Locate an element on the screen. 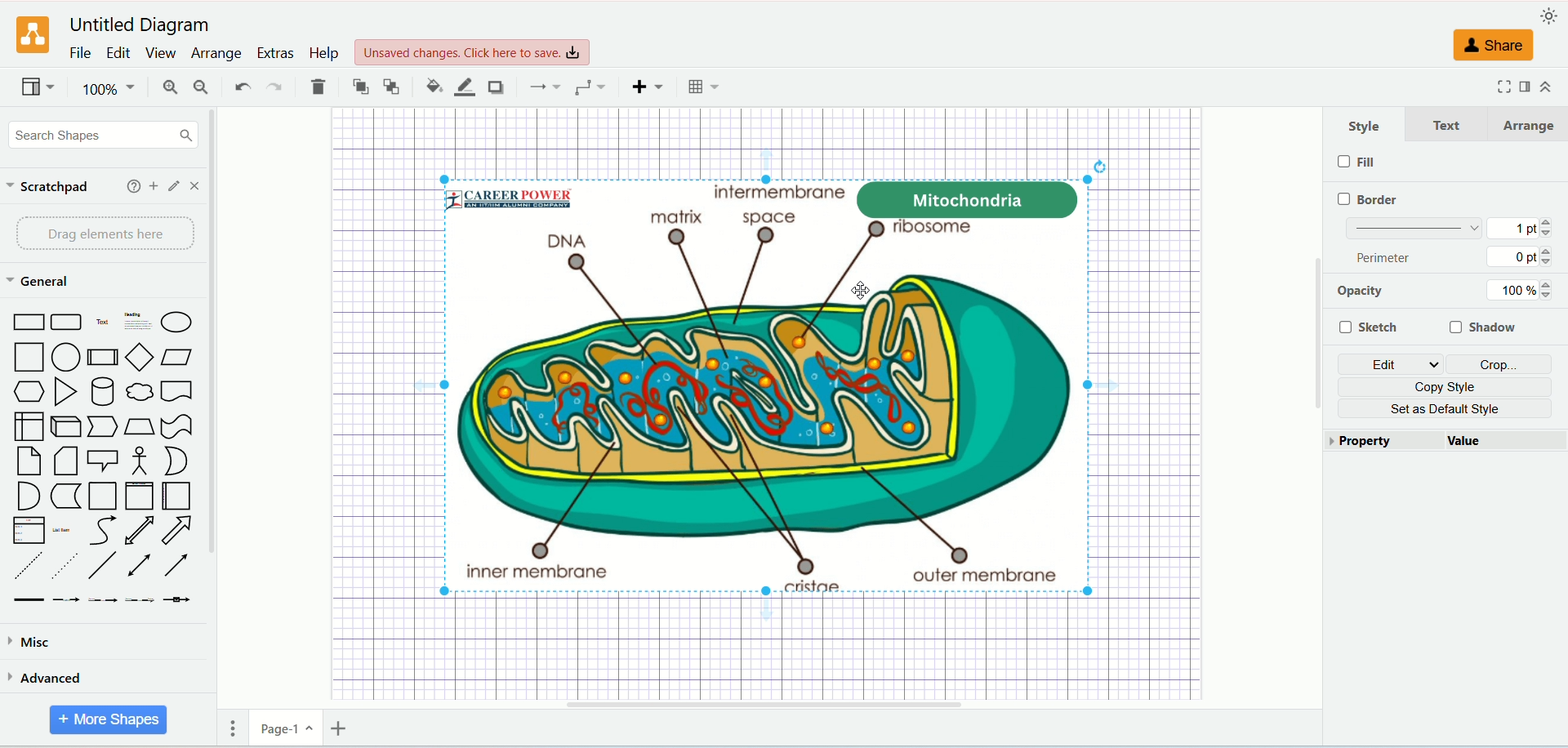  Heading with Text is located at coordinates (139, 323).